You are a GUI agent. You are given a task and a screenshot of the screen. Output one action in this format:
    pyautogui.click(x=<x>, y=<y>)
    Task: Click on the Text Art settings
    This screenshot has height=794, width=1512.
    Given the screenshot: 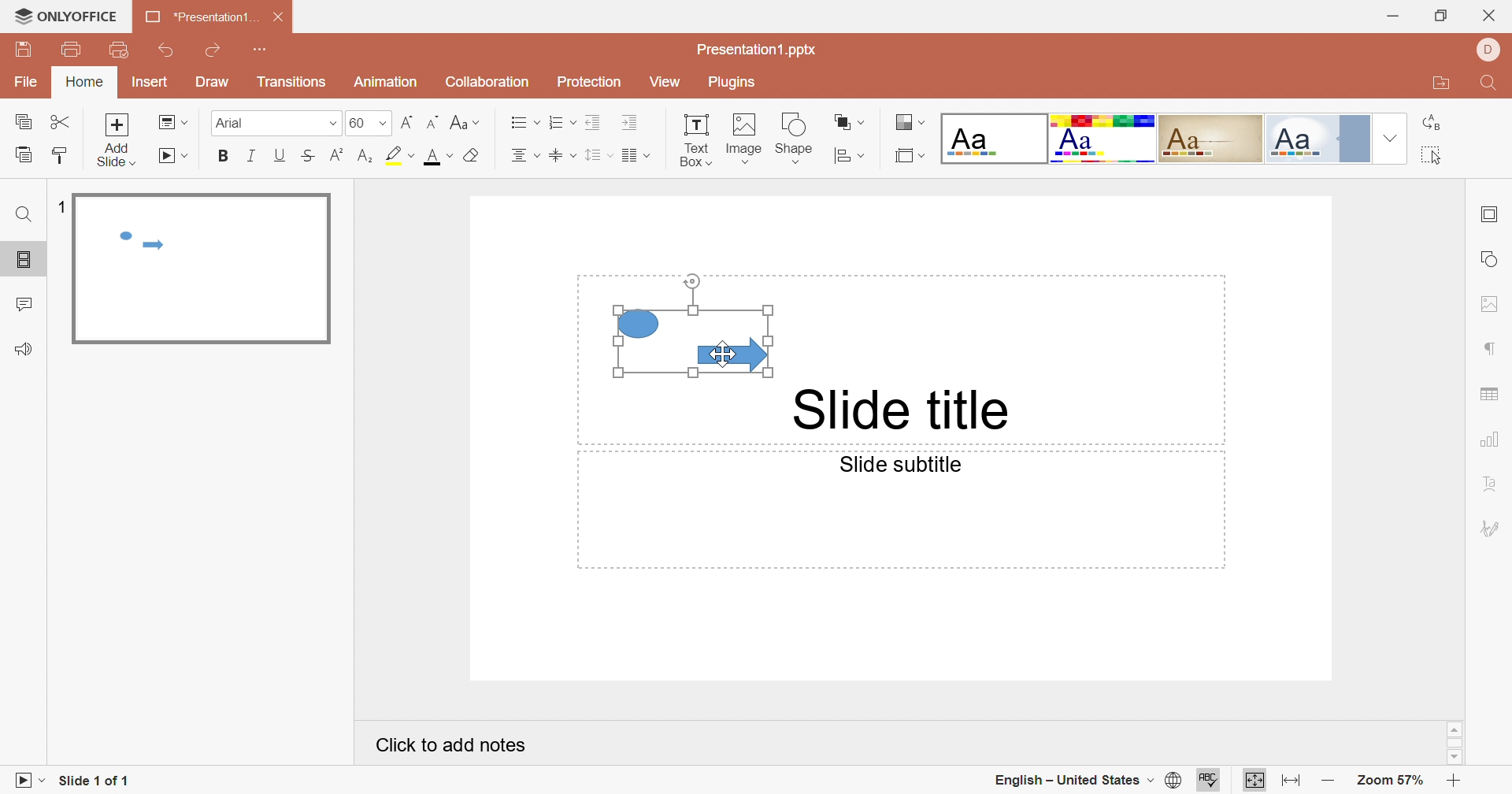 What is the action you would take?
    pyautogui.click(x=1490, y=481)
    